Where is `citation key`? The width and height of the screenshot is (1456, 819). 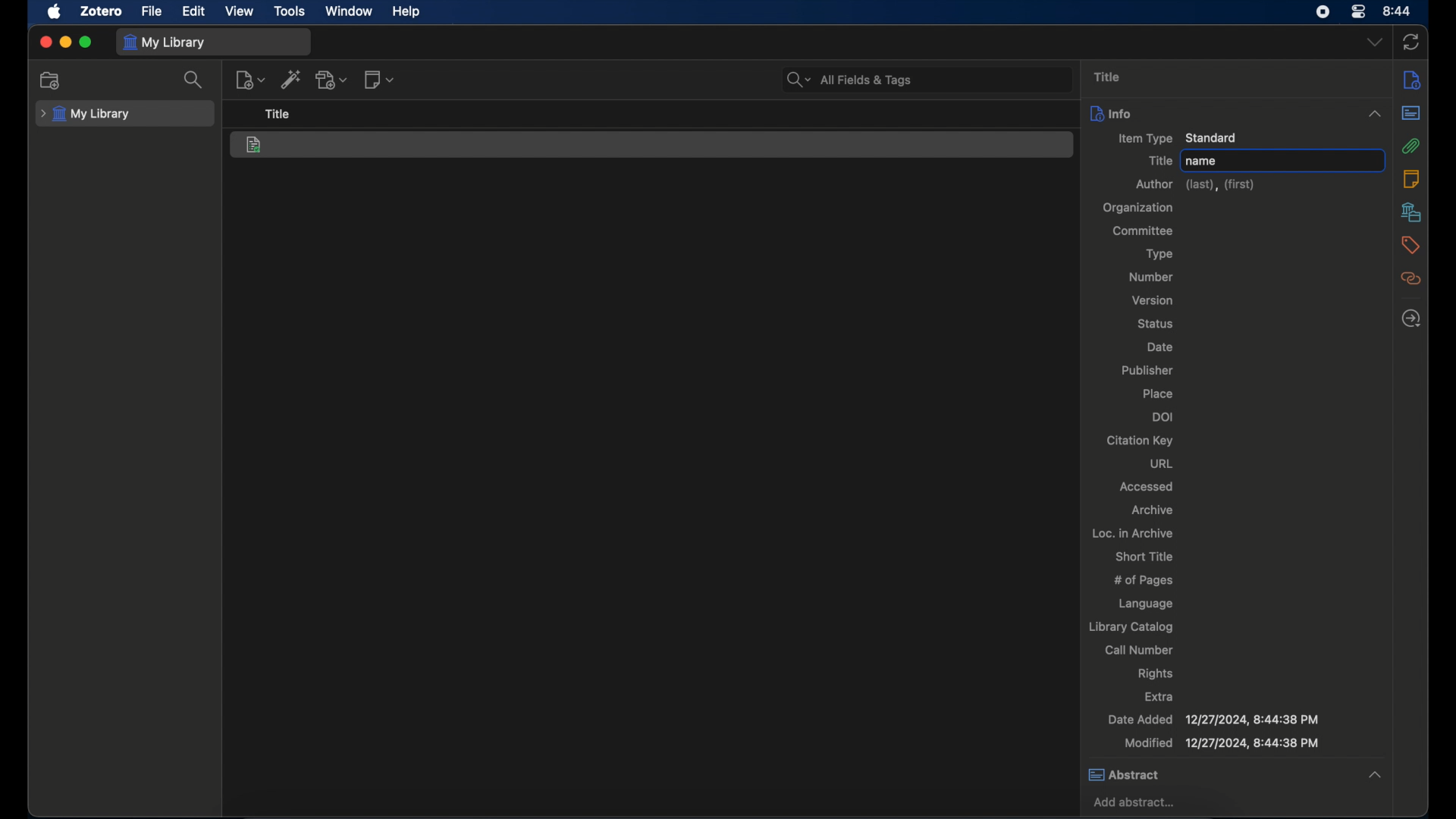
citation key is located at coordinates (1138, 441).